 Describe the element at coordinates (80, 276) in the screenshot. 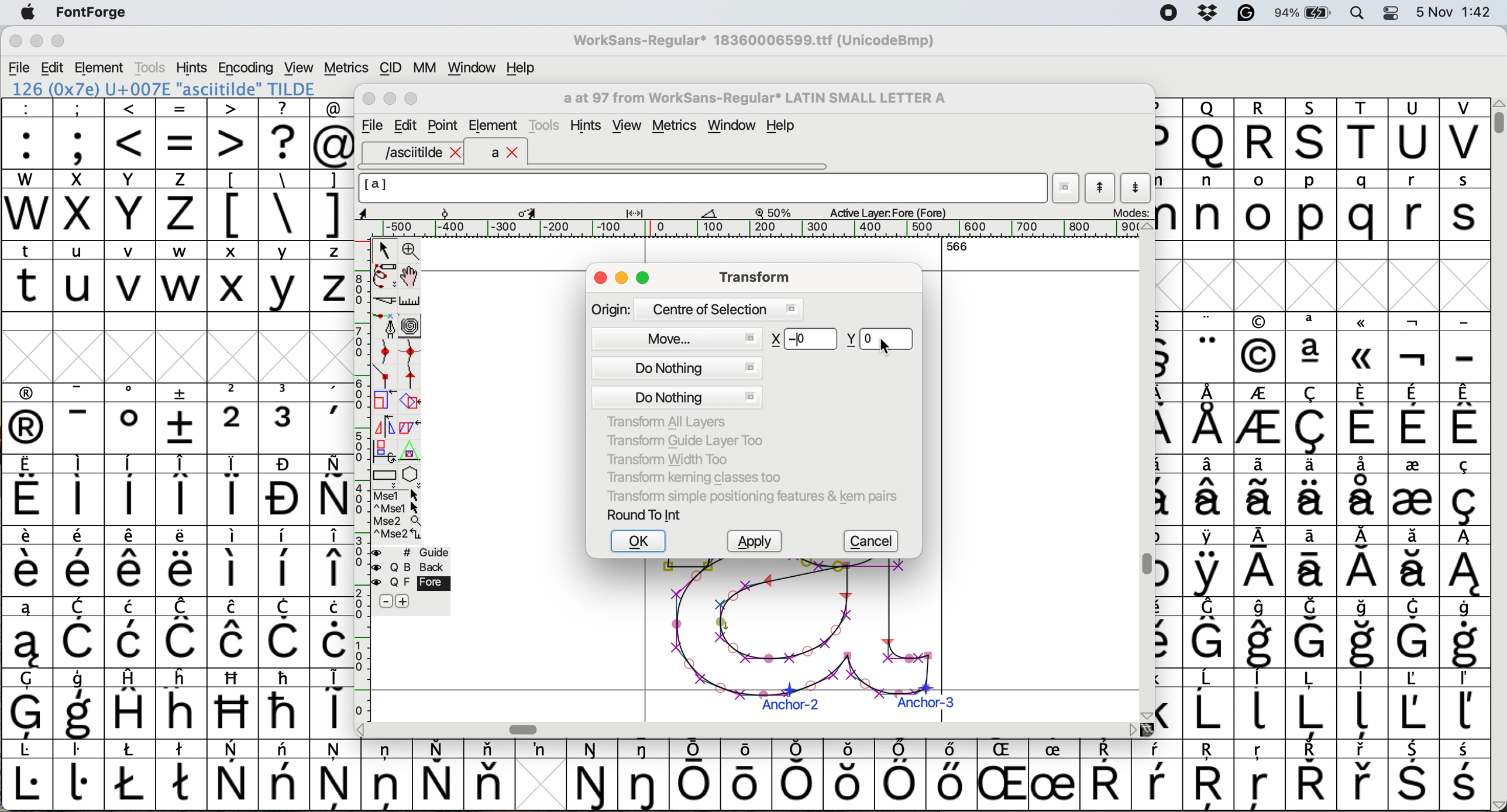

I see `u` at that location.